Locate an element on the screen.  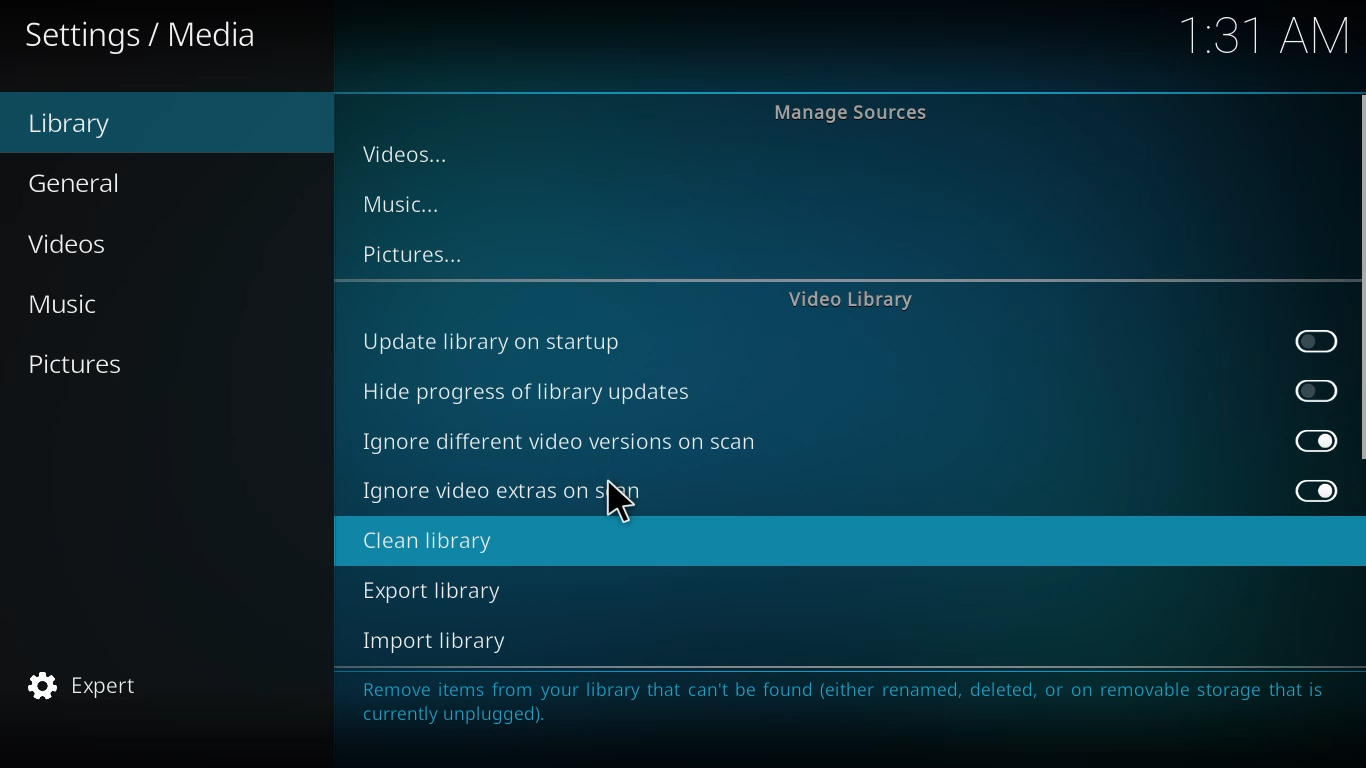
update library on startup is located at coordinates (497, 339).